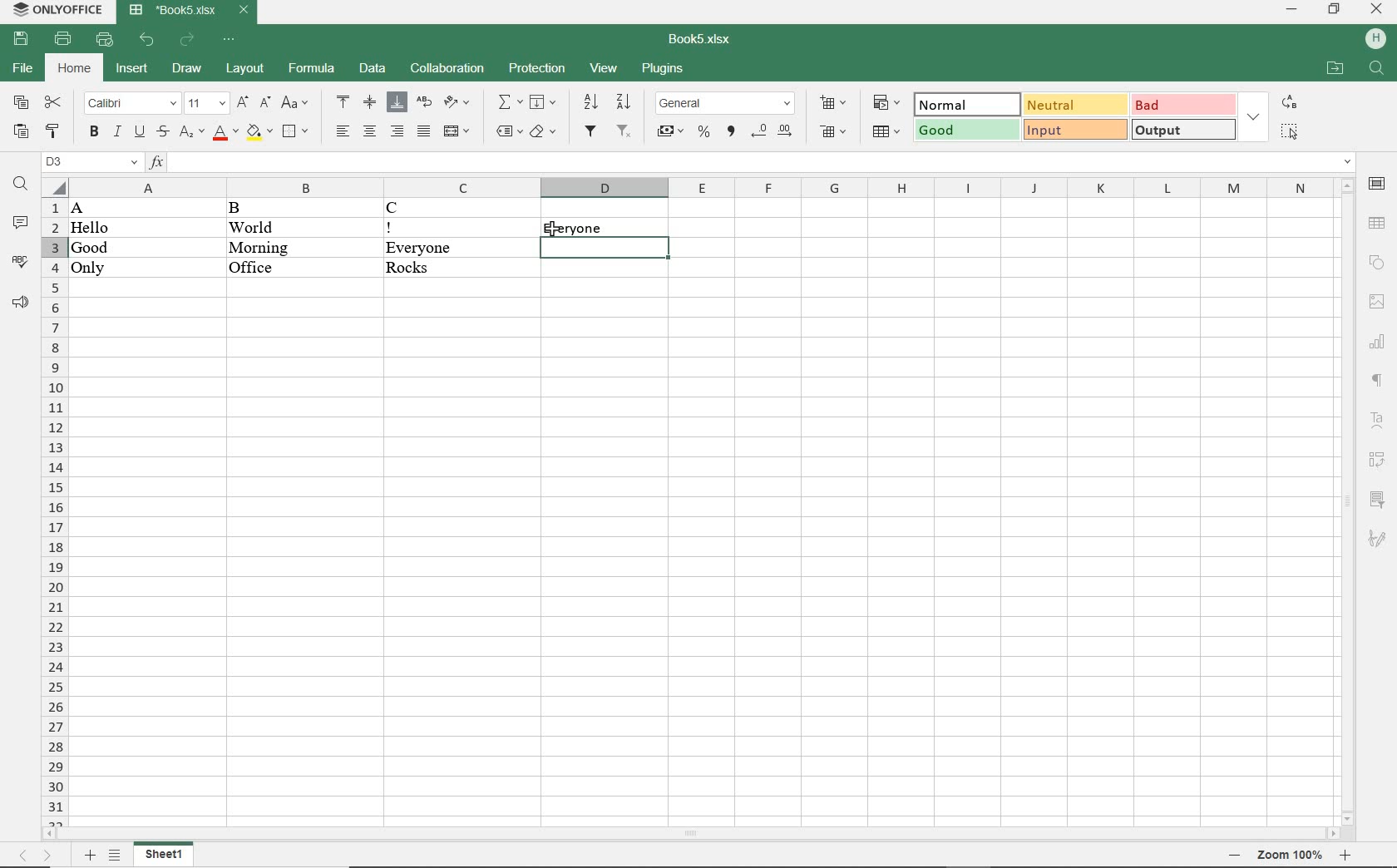 The height and width of the screenshot is (868, 1397). Describe the element at coordinates (605, 69) in the screenshot. I see `view` at that location.